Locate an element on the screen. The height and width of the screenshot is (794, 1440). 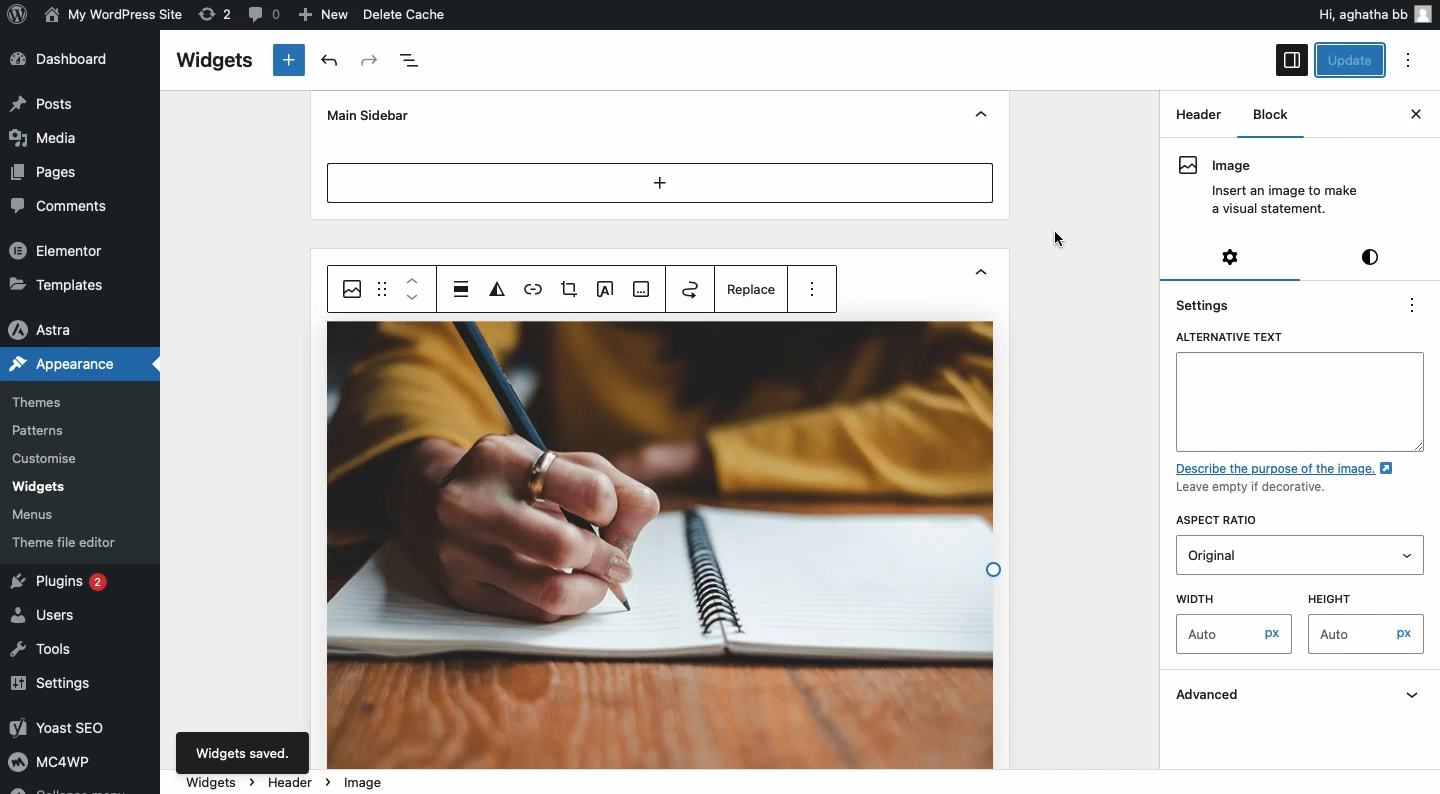
Close is located at coordinates (1415, 114).